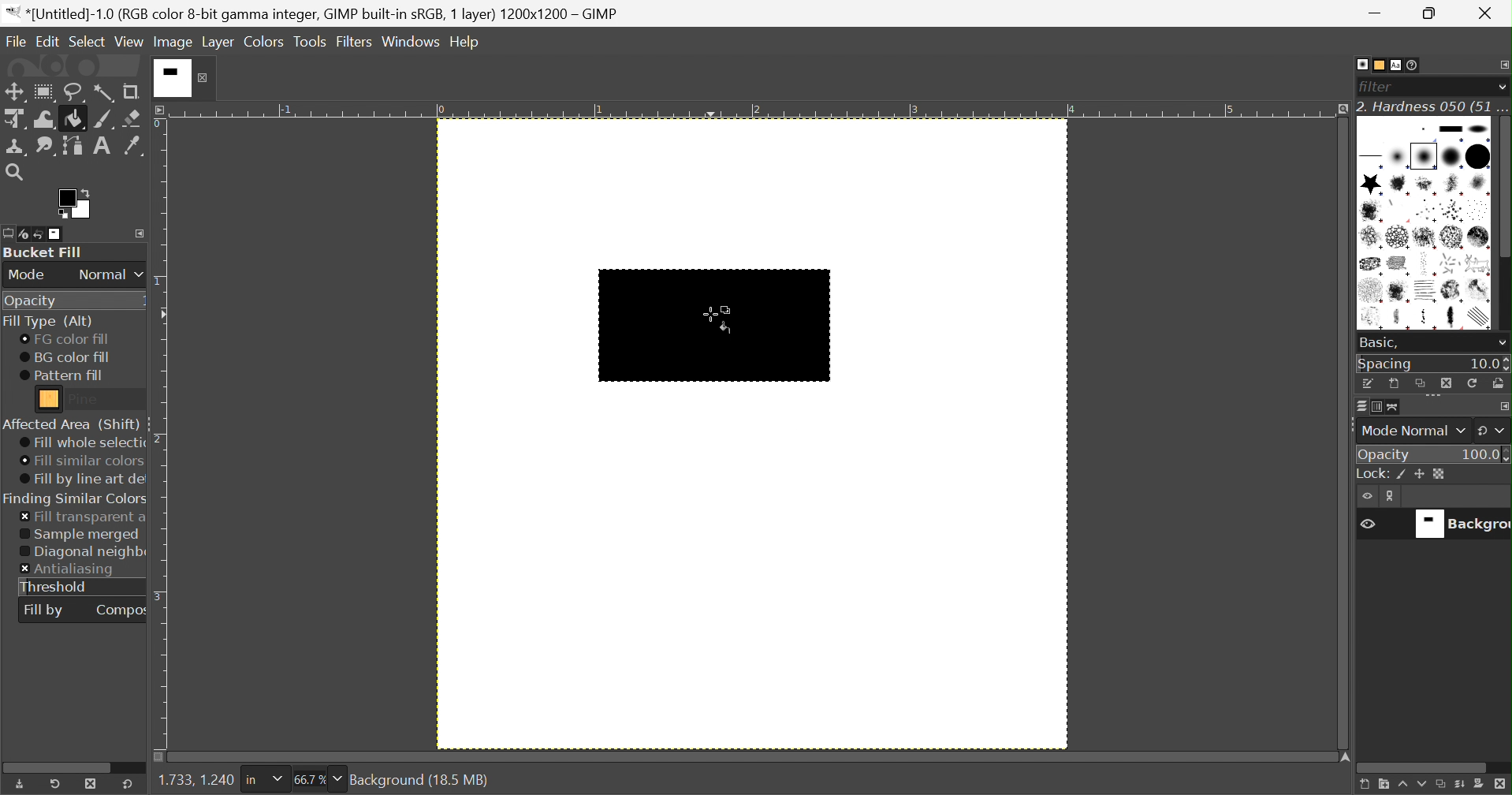 Image resolution: width=1512 pixels, height=795 pixels. I want to click on Lock positions and size, so click(1420, 475).